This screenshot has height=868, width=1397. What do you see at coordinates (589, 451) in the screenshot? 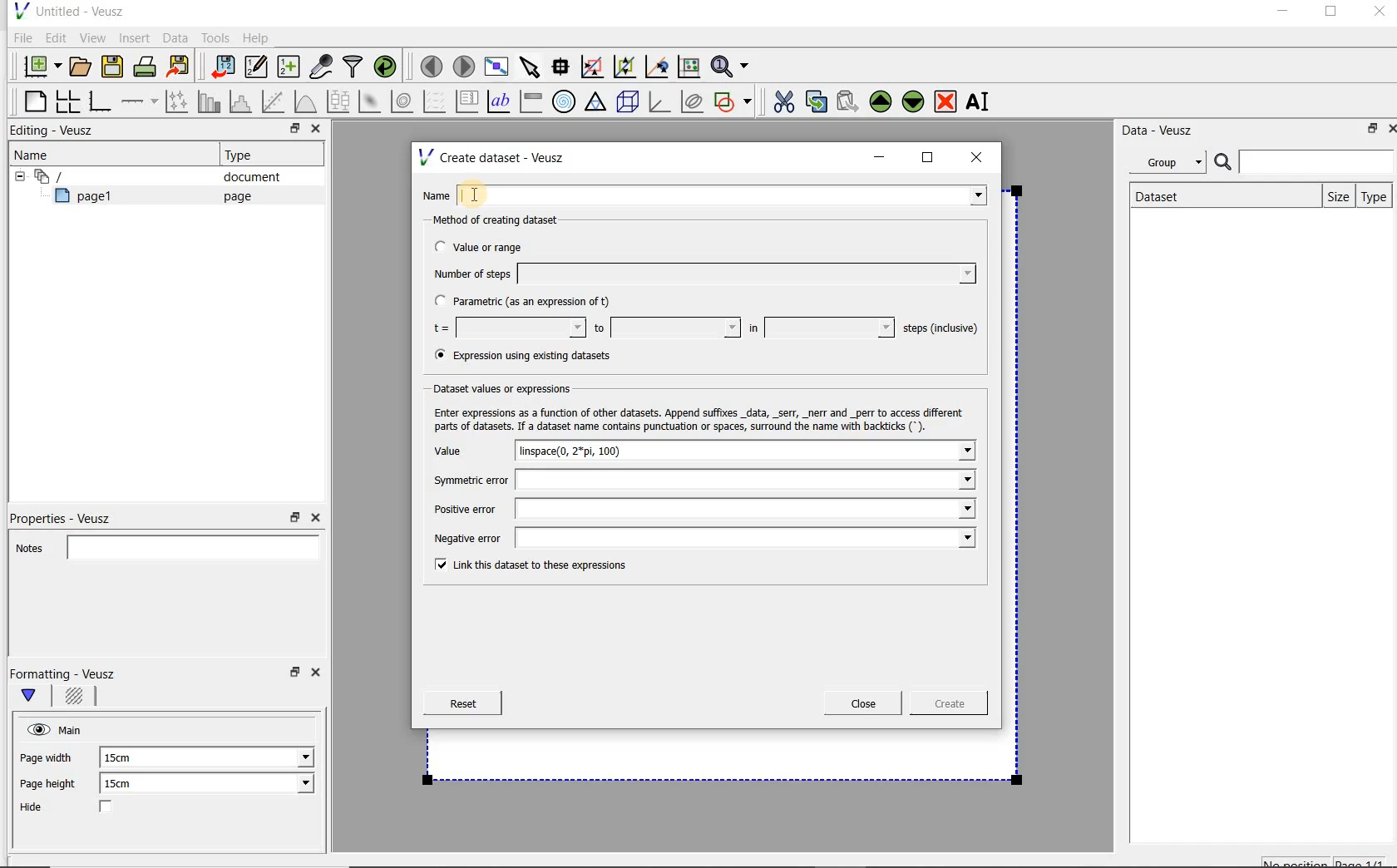
I see `linspace(0, 2*pi, 100)` at bounding box center [589, 451].